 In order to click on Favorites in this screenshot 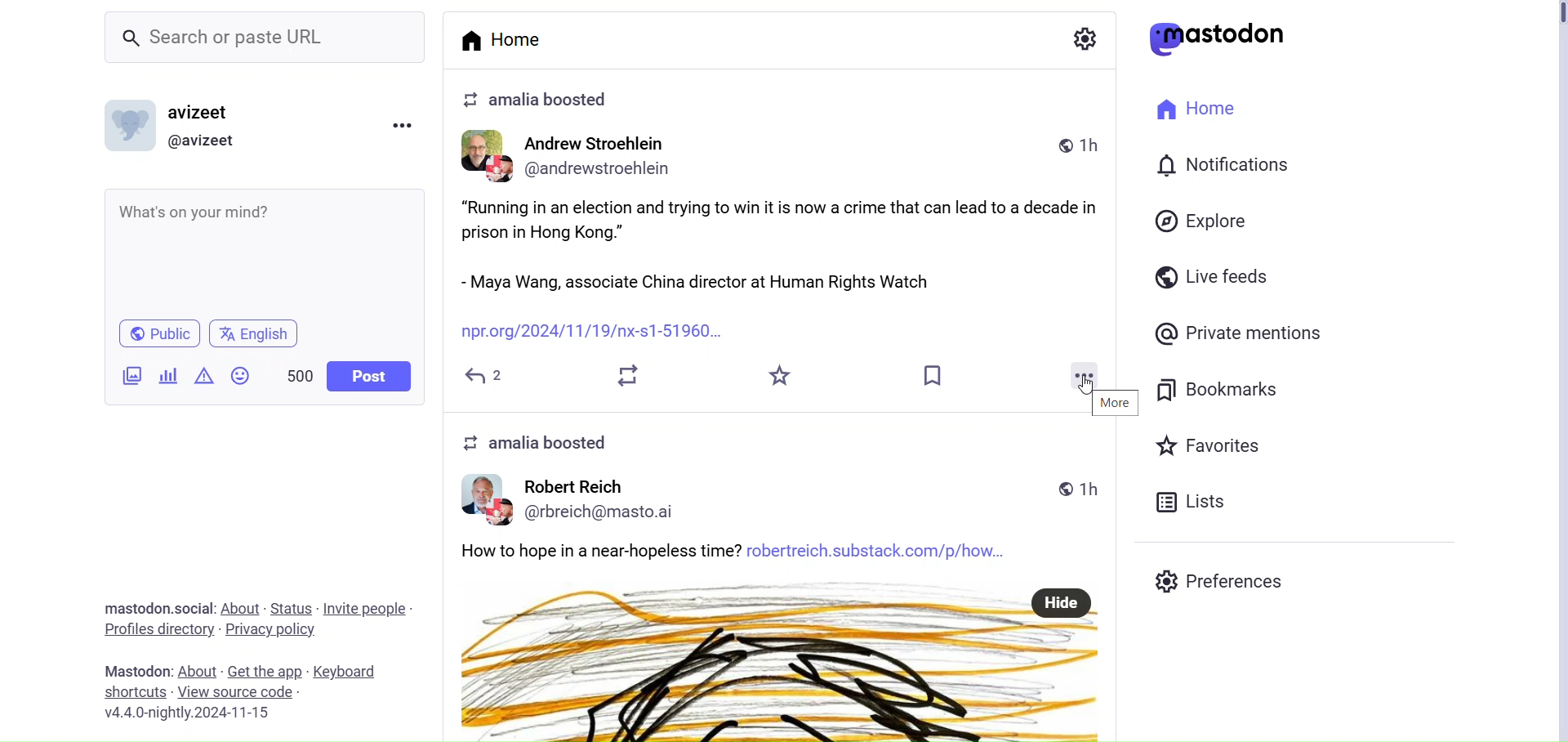, I will do `click(1210, 444)`.